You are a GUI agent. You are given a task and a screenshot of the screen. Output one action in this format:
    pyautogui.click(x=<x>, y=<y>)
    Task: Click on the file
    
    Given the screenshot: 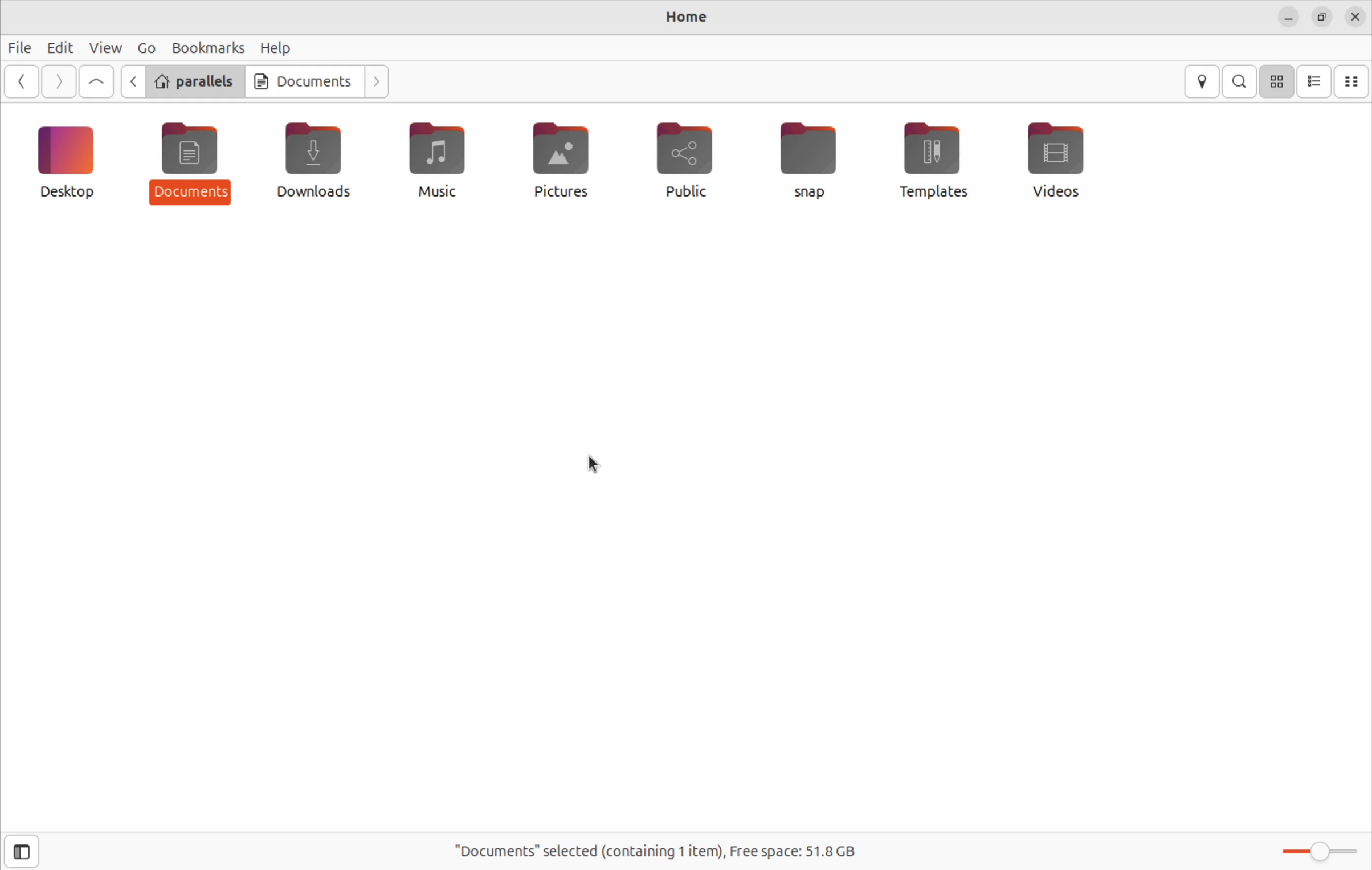 What is the action you would take?
    pyautogui.click(x=20, y=46)
    